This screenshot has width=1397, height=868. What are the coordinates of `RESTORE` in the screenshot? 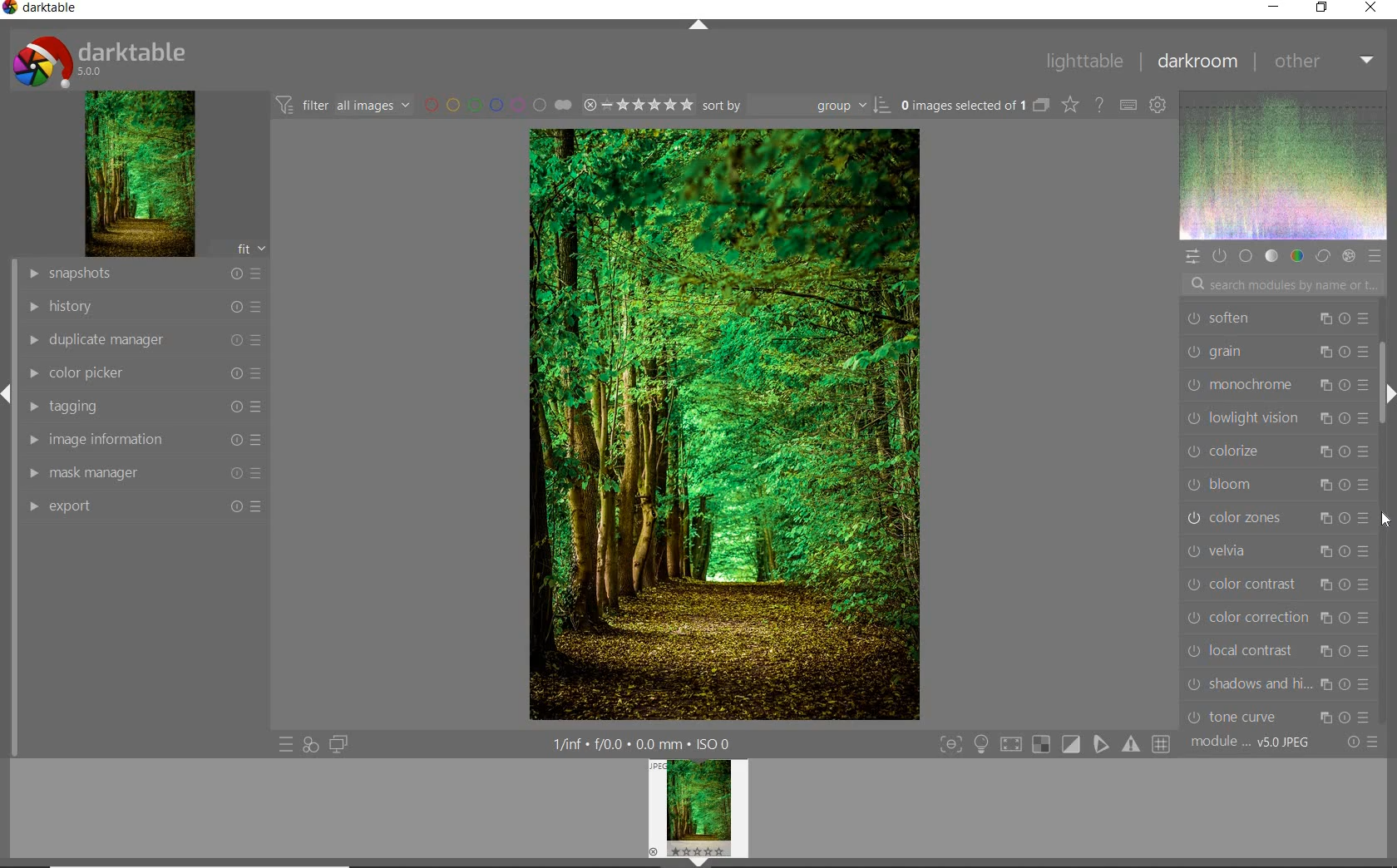 It's located at (1320, 8).